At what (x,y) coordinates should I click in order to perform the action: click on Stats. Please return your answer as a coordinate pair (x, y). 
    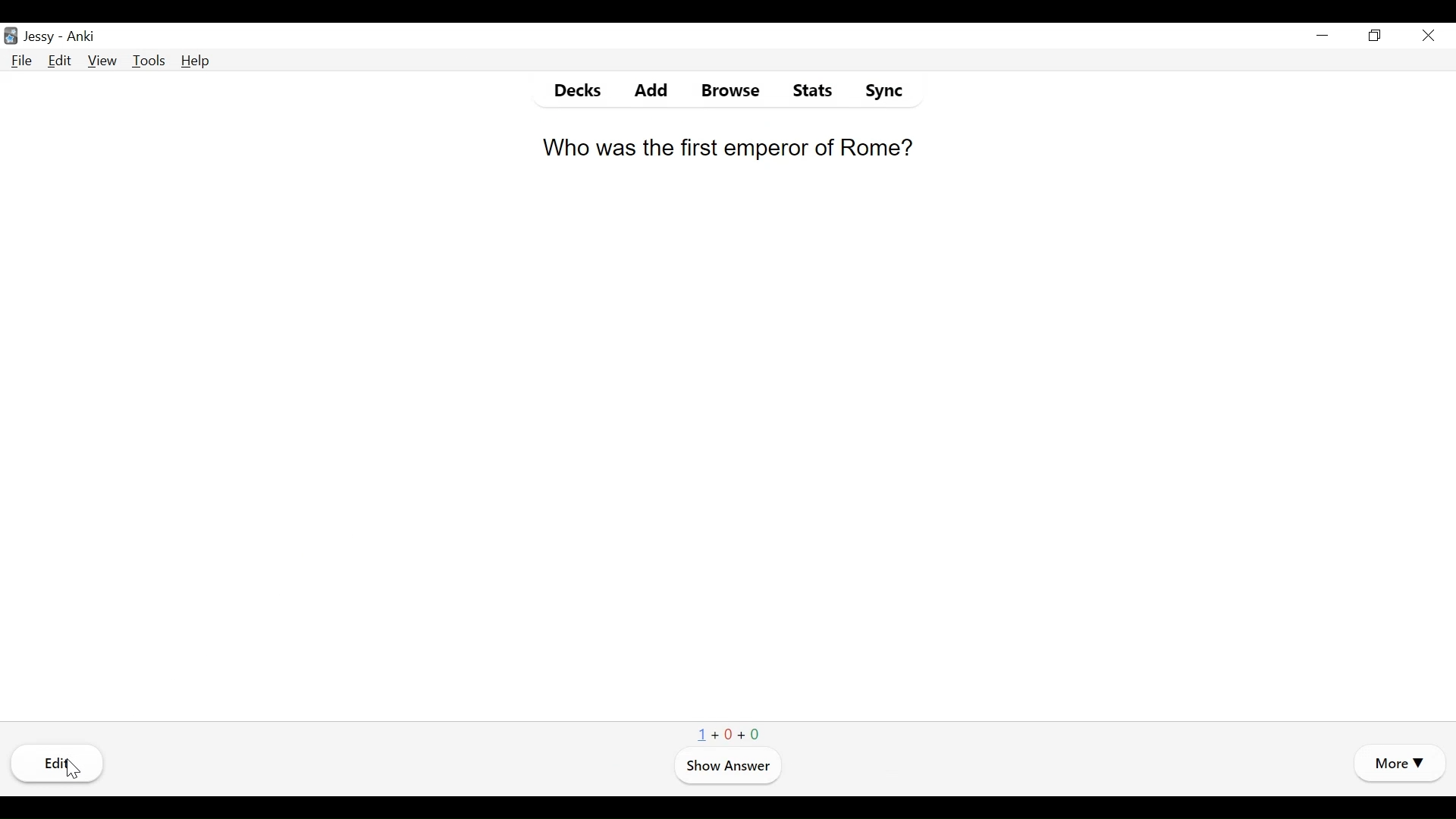
    Looking at the image, I should click on (811, 91).